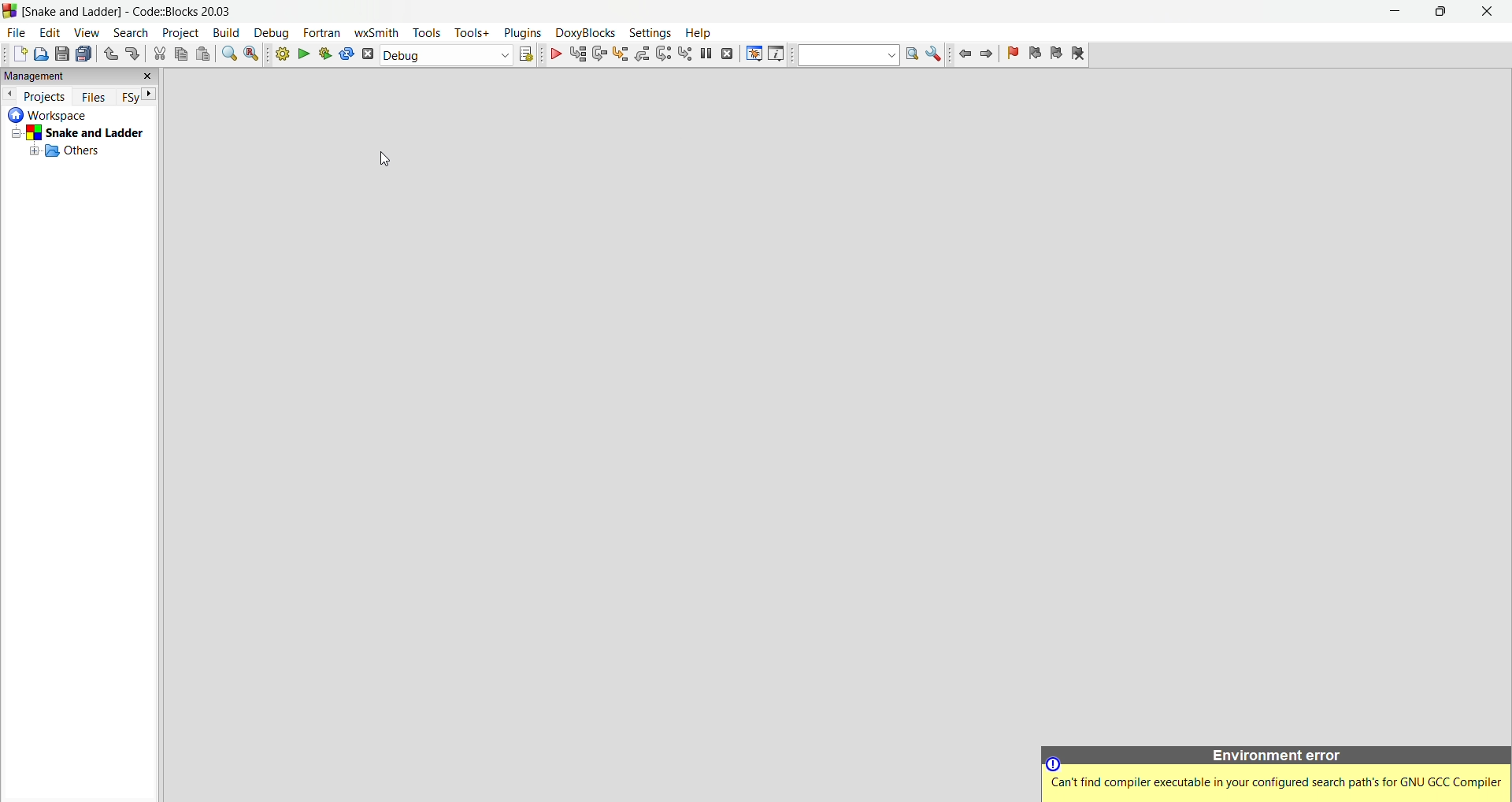  I want to click on build, so click(225, 33).